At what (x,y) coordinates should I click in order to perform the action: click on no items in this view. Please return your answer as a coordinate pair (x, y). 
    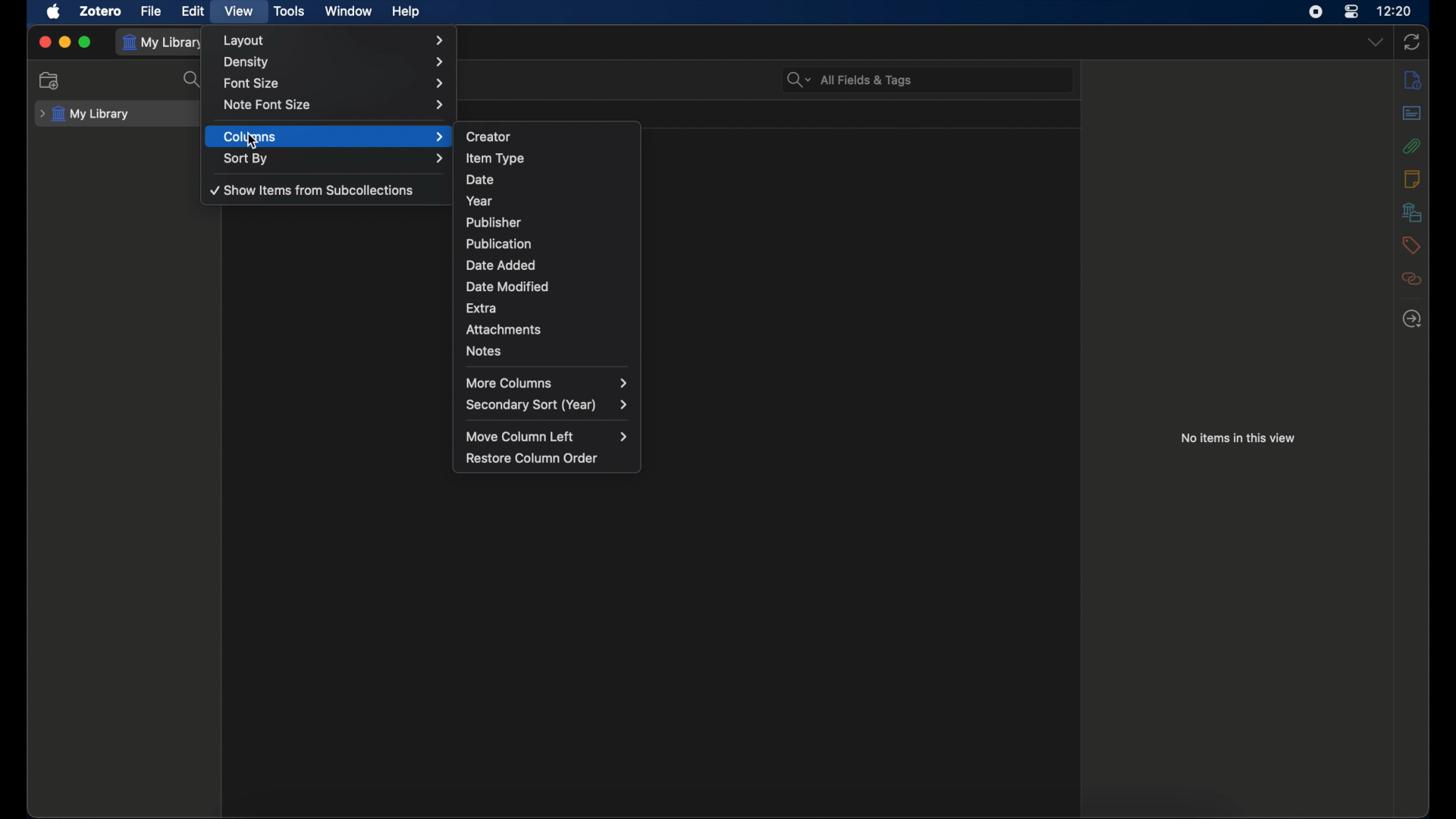
    Looking at the image, I should click on (1238, 438).